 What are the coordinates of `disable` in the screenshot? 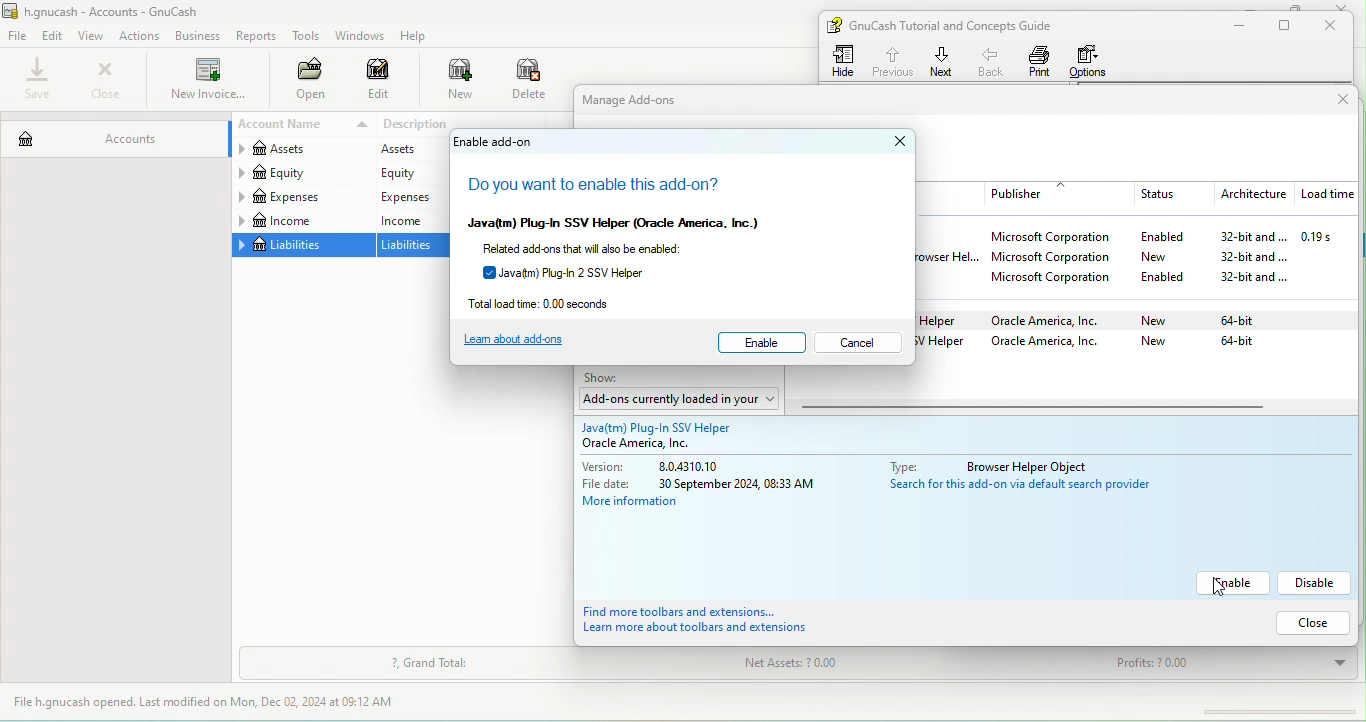 It's located at (1316, 583).